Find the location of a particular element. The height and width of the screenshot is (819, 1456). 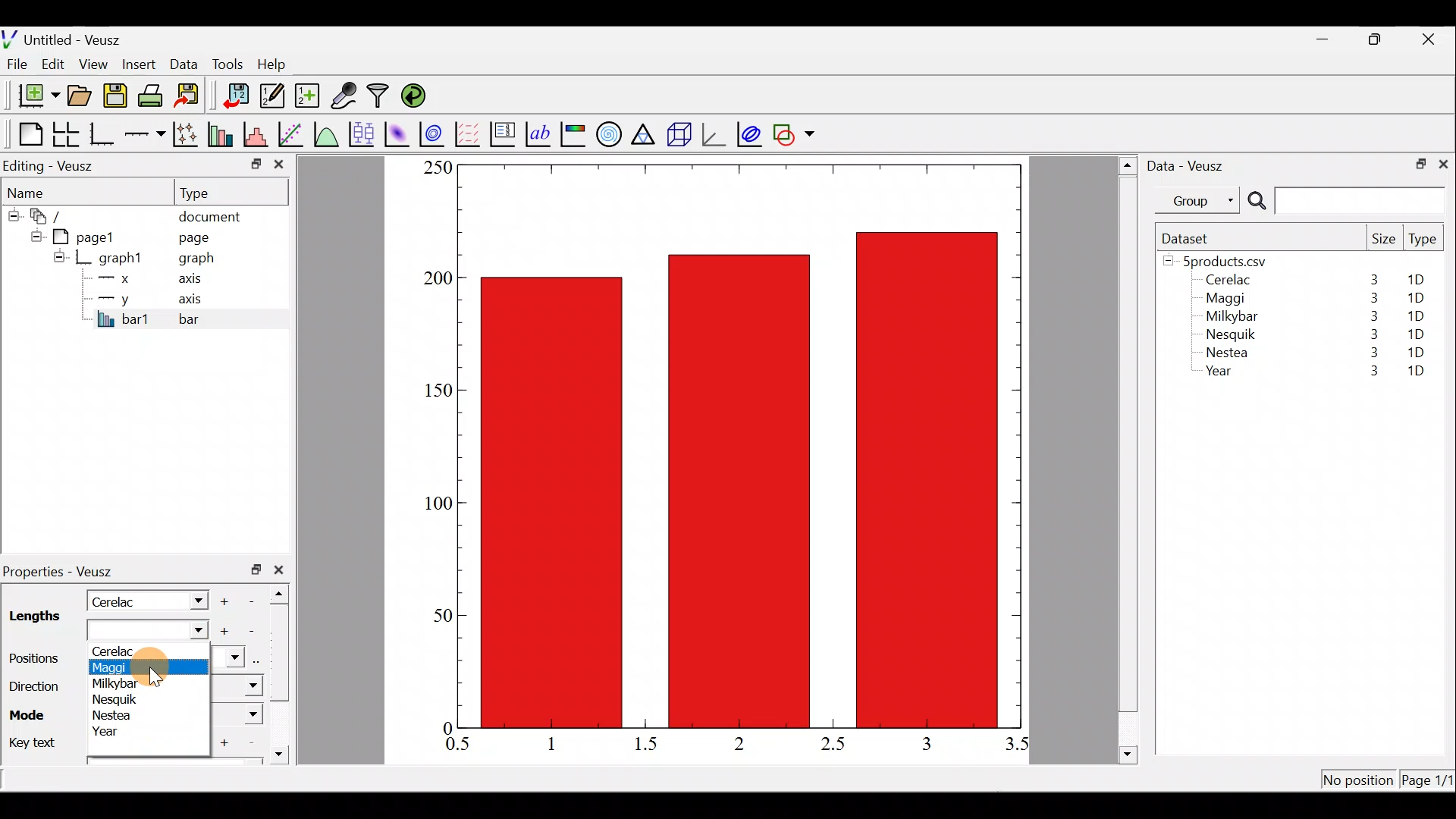

Key text is located at coordinates (33, 740).